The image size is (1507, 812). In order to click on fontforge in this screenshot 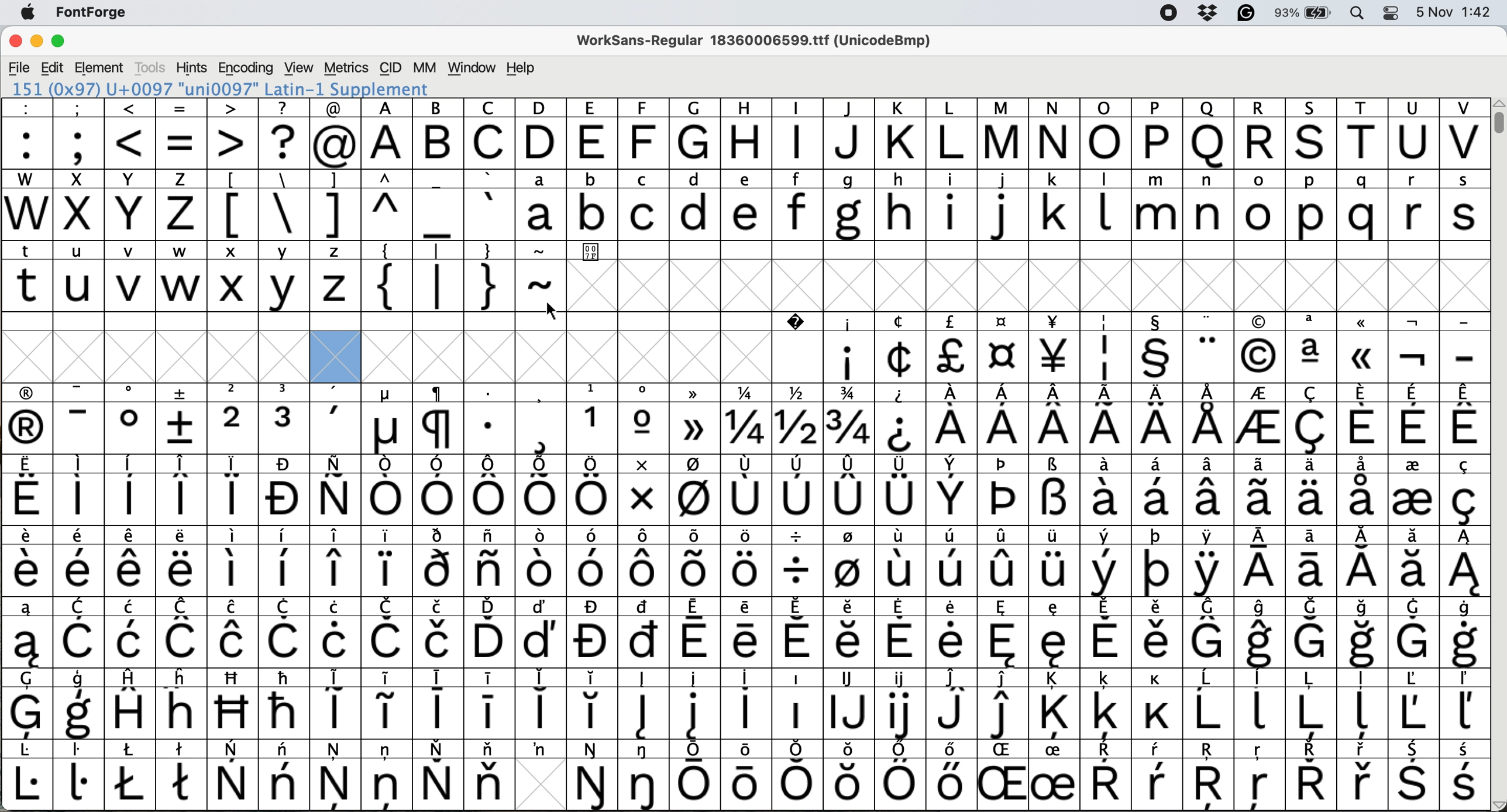, I will do `click(95, 13)`.